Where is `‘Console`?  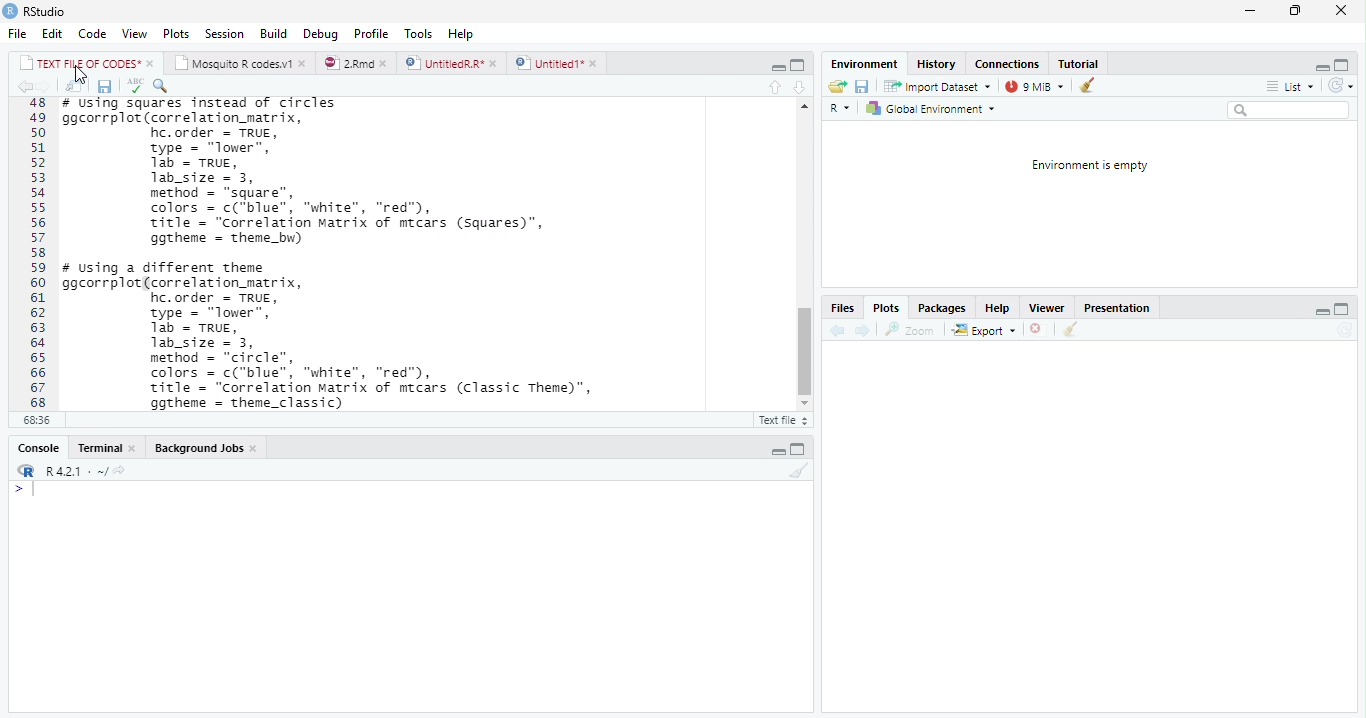 ‘Console is located at coordinates (33, 450).